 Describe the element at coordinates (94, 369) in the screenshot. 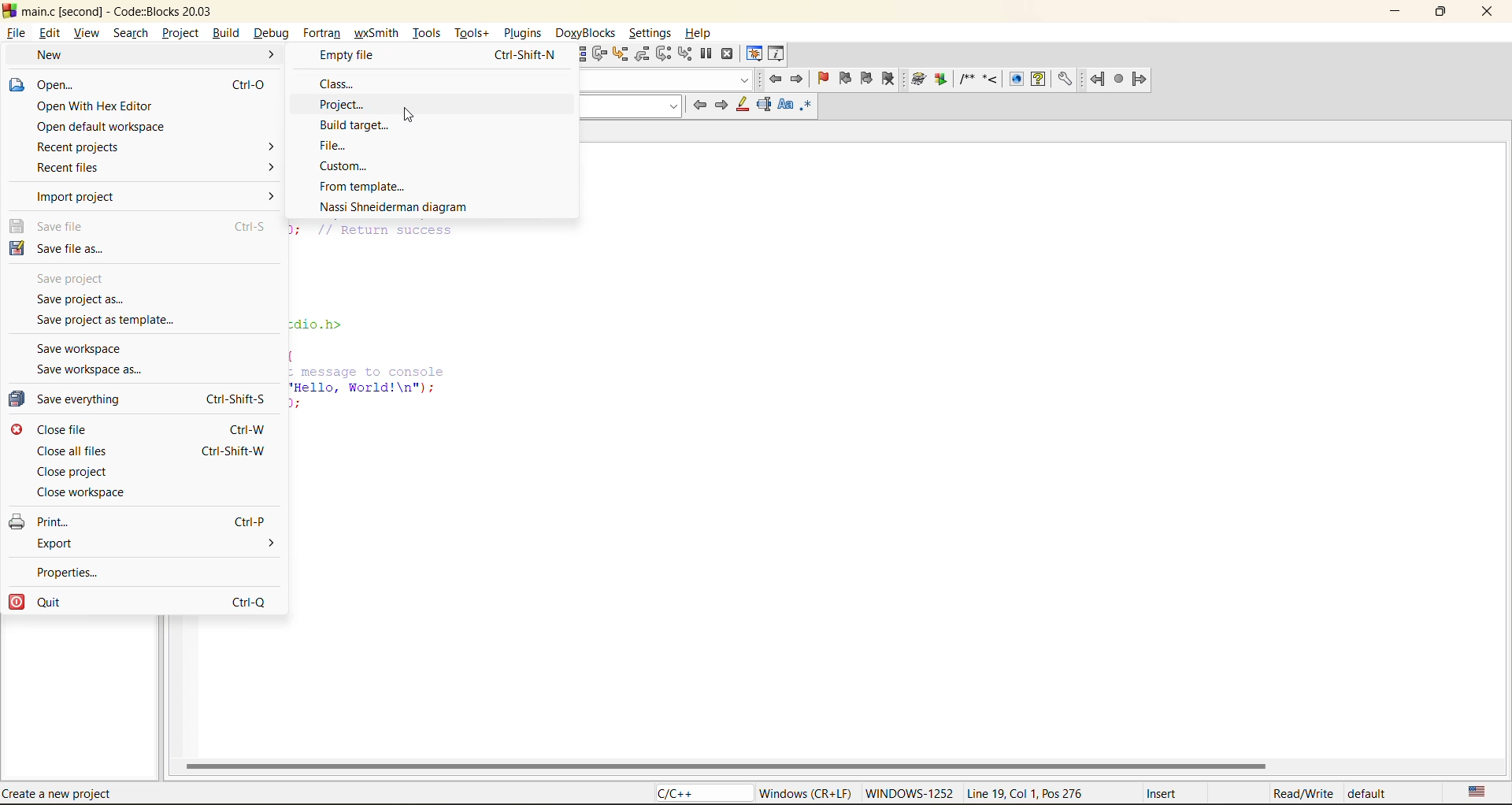

I see `save workspace as` at that location.